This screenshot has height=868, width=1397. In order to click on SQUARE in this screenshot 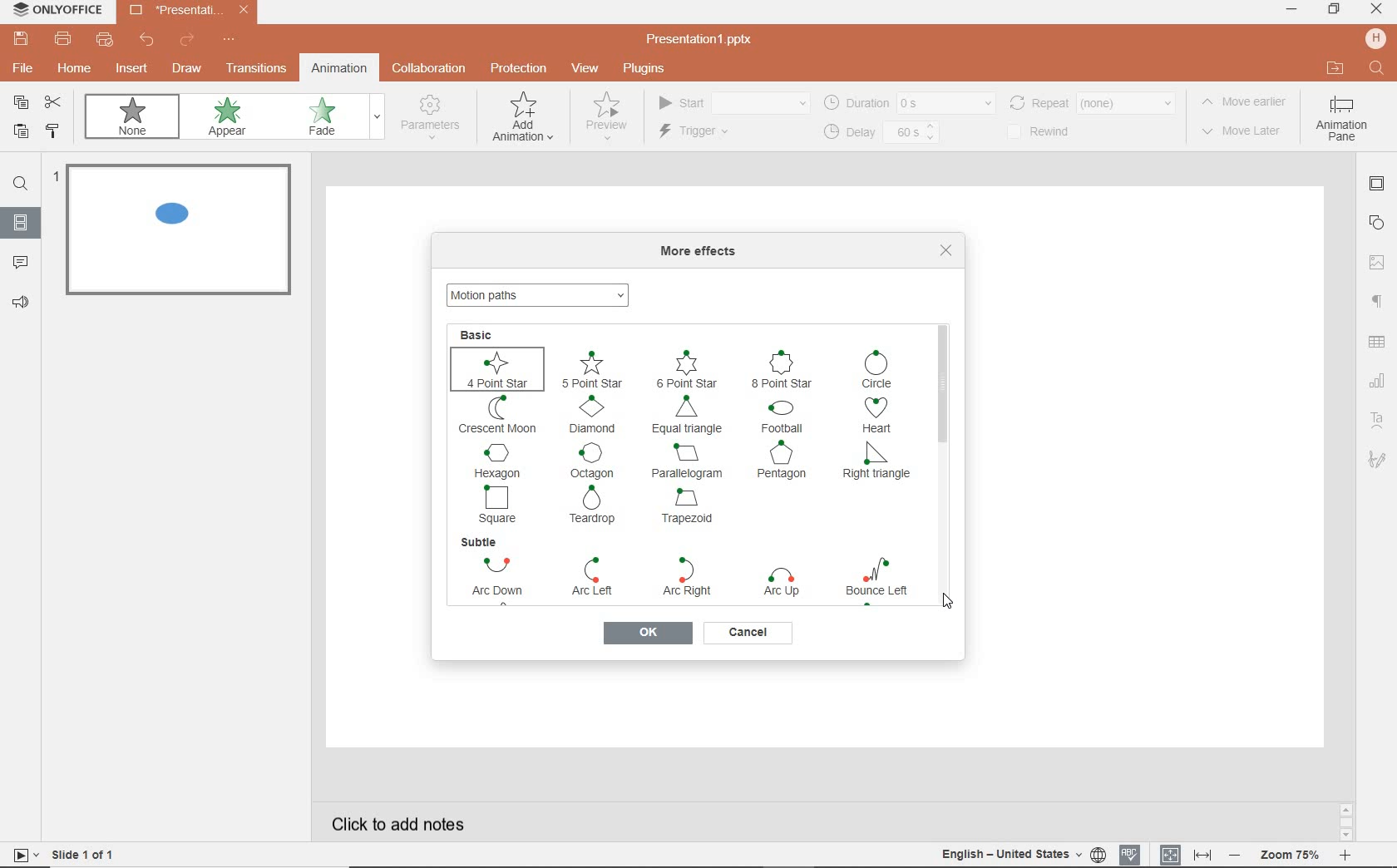, I will do `click(500, 504)`.